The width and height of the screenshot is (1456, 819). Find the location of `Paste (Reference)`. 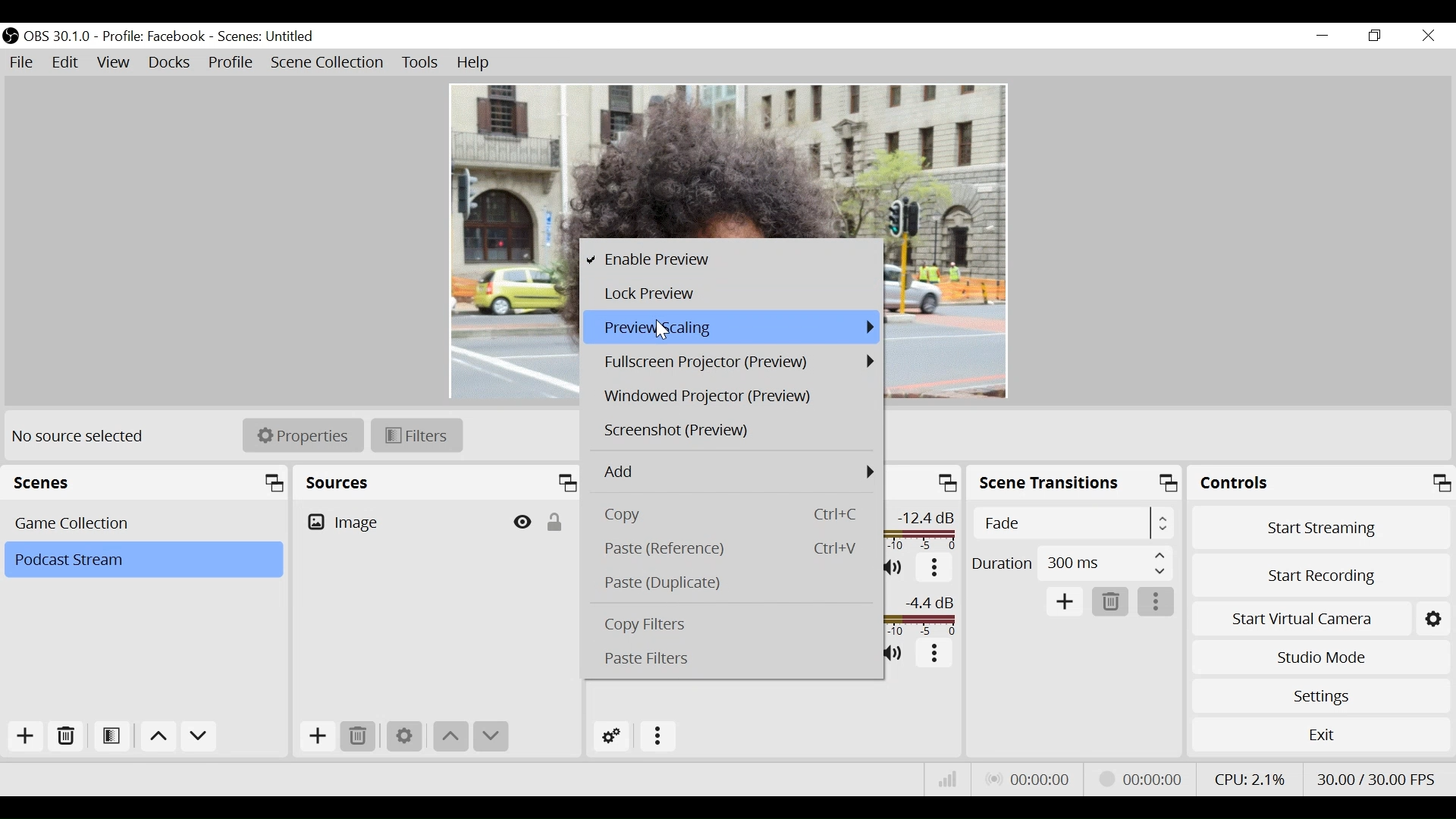

Paste (Reference) is located at coordinates (735, 548).